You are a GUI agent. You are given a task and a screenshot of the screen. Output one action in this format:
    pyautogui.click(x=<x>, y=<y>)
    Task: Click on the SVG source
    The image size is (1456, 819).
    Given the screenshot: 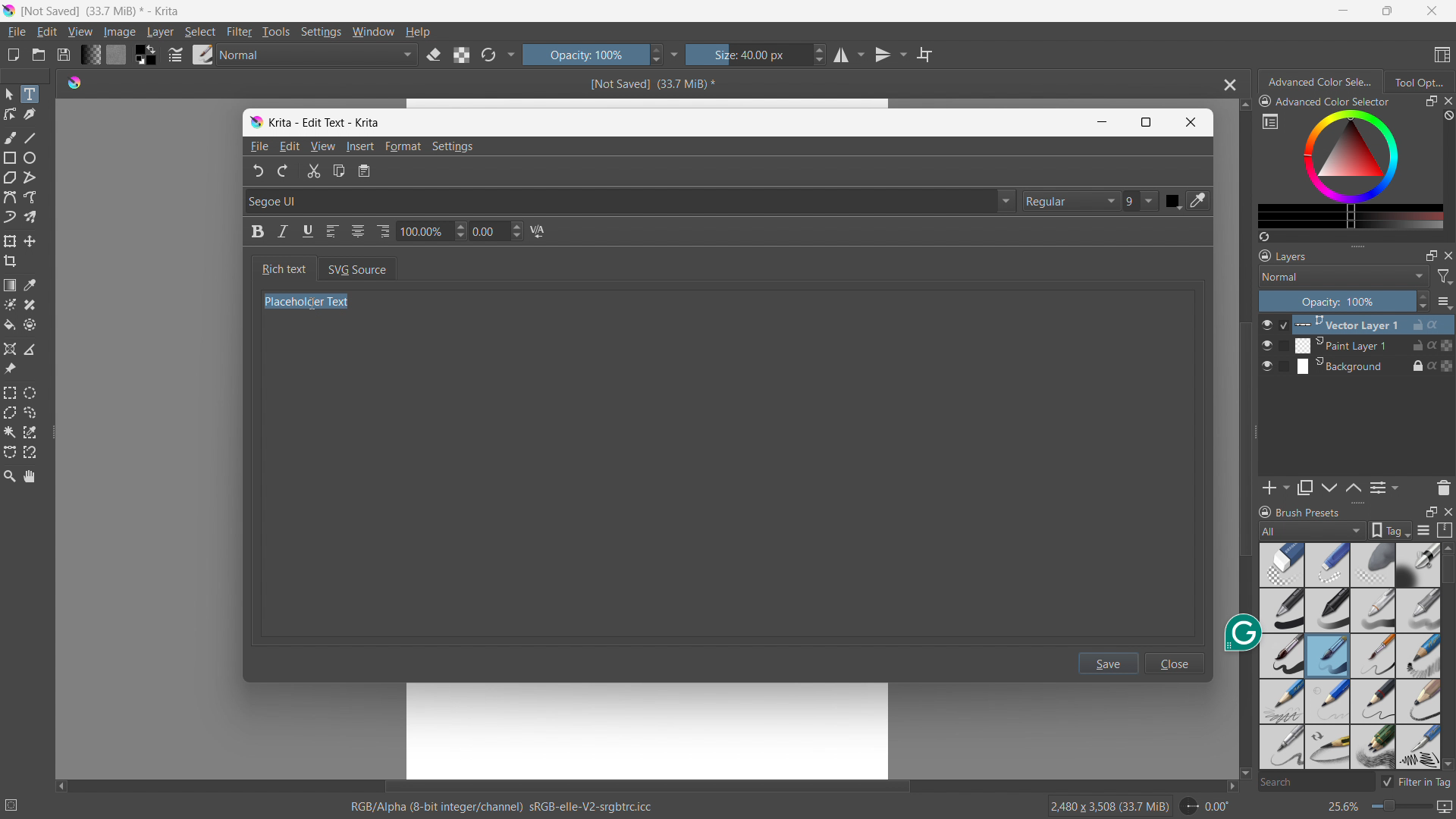 What is the action you would take?
    pyautogui.click(x=358, y=268)
    